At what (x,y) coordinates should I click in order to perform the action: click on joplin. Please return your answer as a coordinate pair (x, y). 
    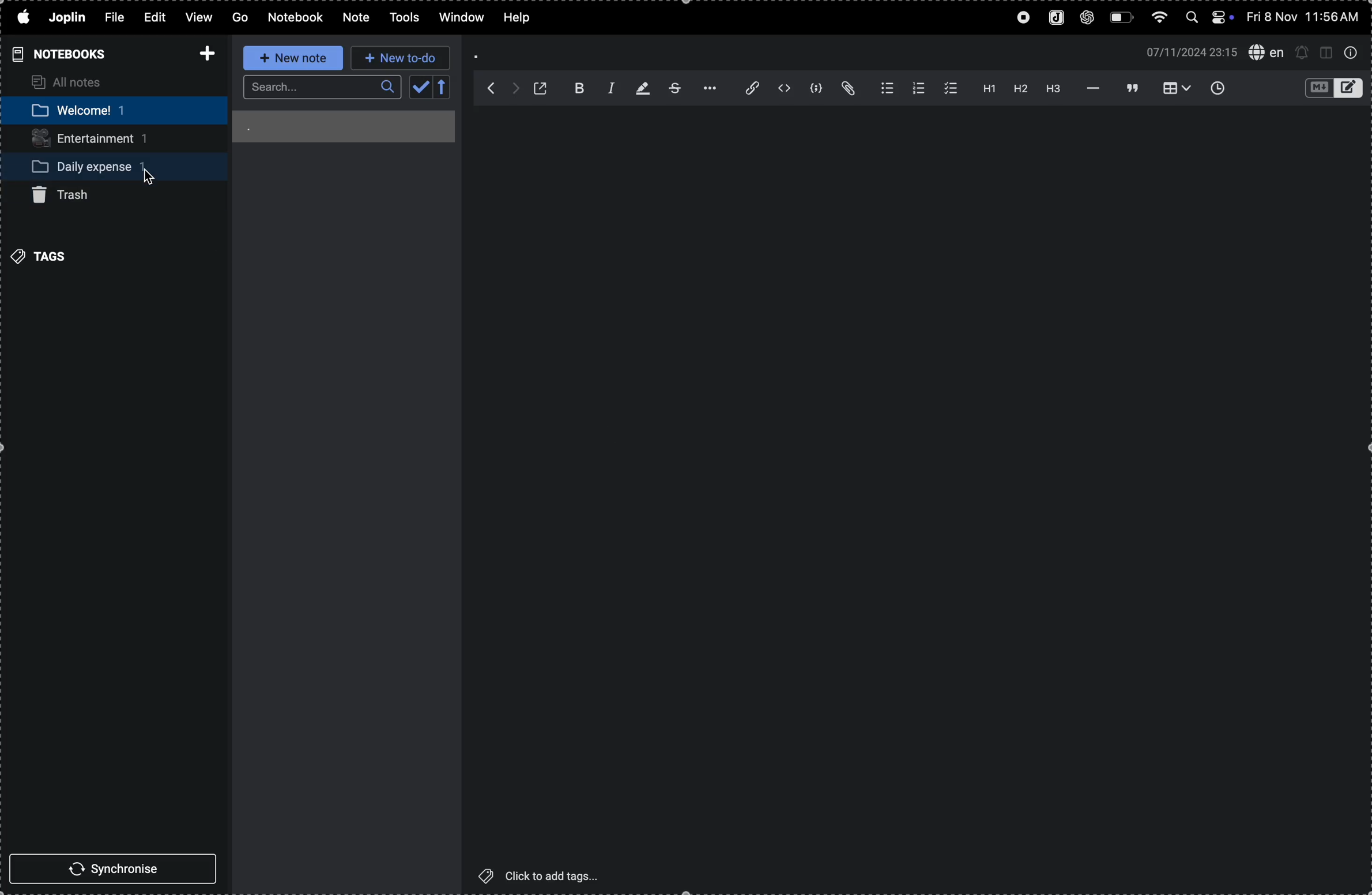
    Looking at the image, I should click on (69, 17).